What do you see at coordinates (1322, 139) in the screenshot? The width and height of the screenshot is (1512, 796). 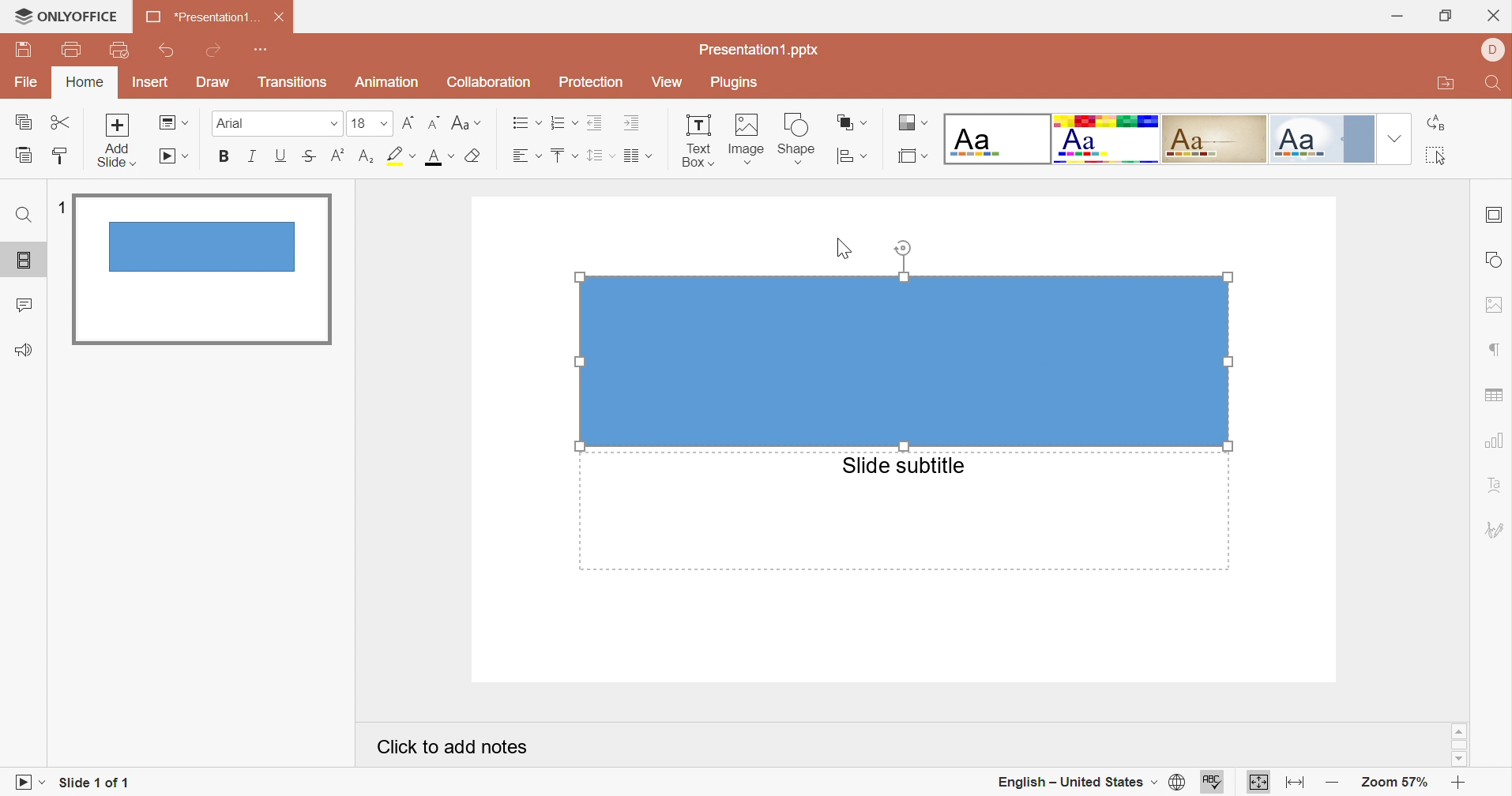 I see `Official` at bounding box center [1322, 139].